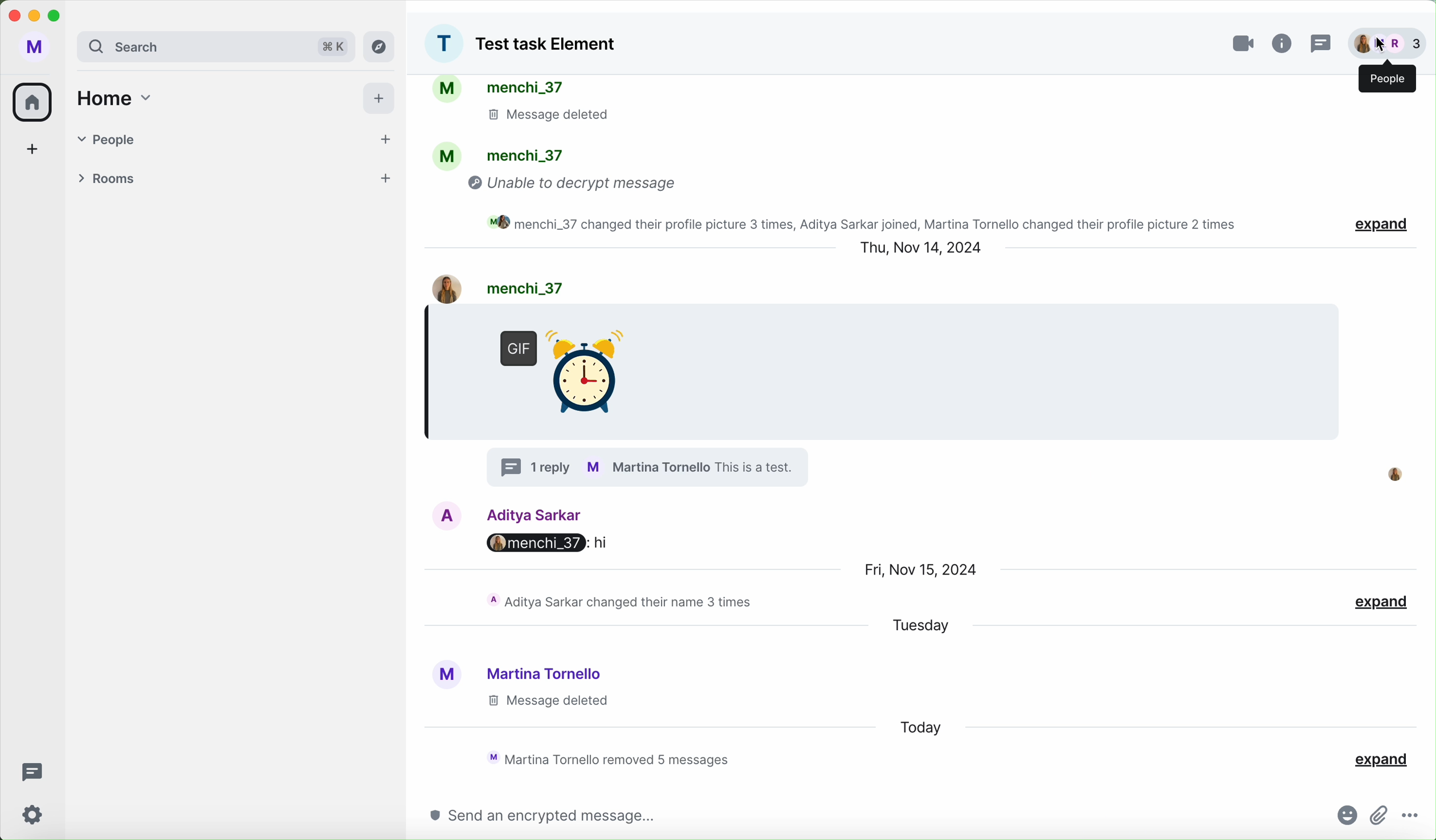 Image resolution: width=1436 pixels, height=840 pixels. I want to click on profile picture, so click(443, 44).